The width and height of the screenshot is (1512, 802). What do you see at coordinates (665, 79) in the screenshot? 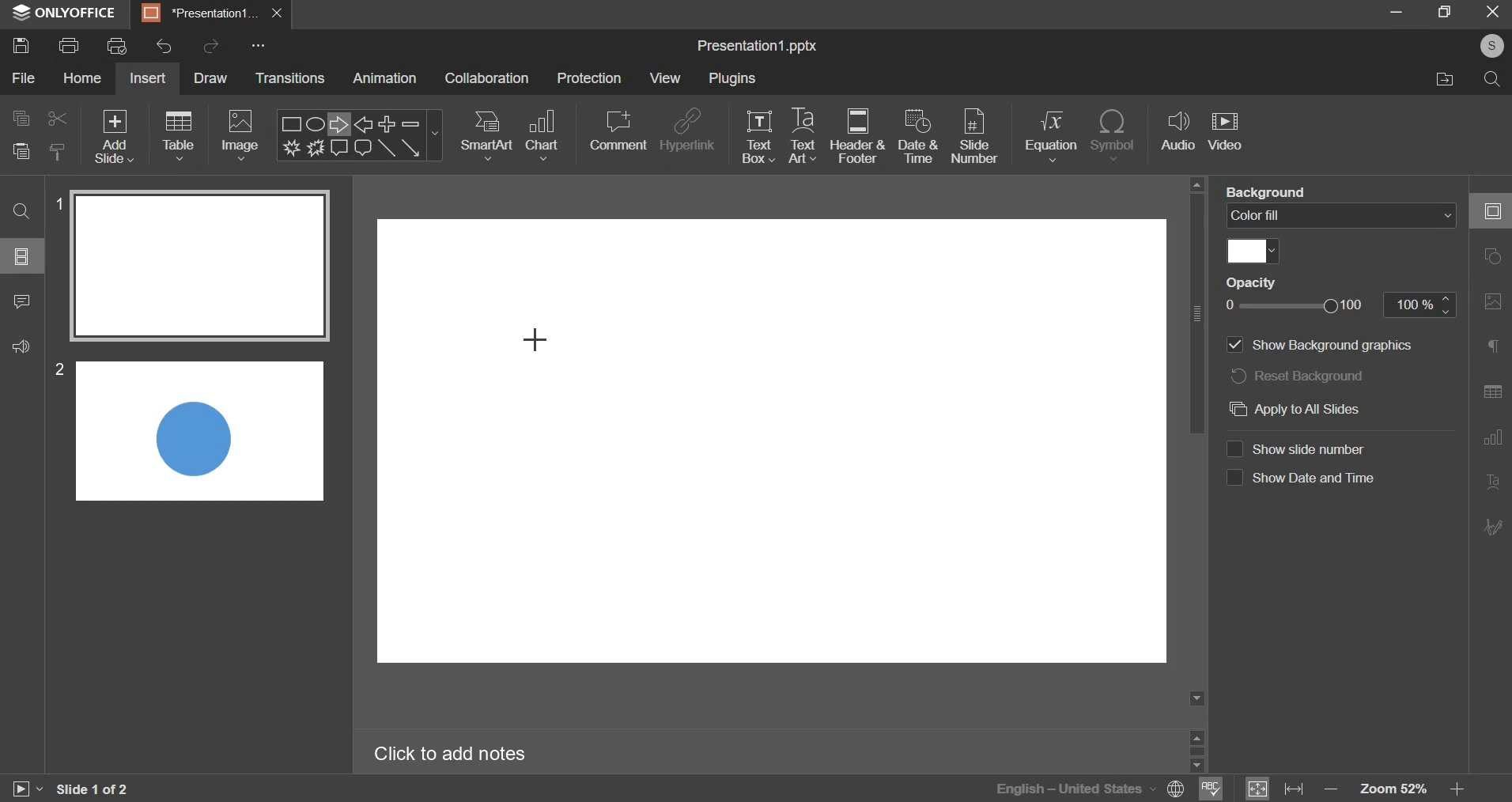
I see `view` at bounding box center [665, 79].